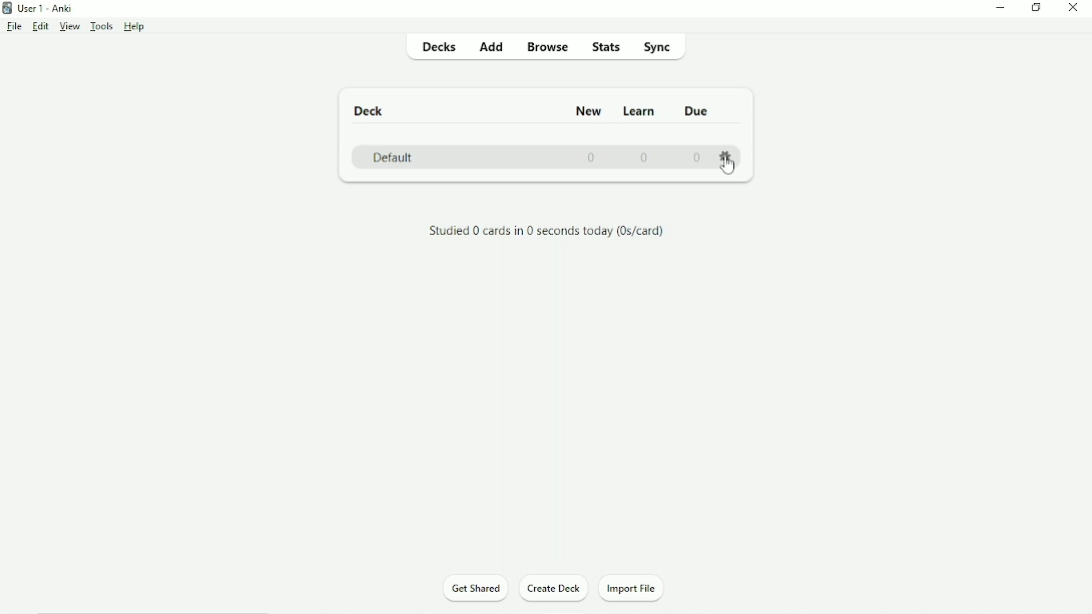 This screenshot has height=614, width=1092. Describe the element at coordinates (371, 111) in the screenshot. I see `Deck` at that location.